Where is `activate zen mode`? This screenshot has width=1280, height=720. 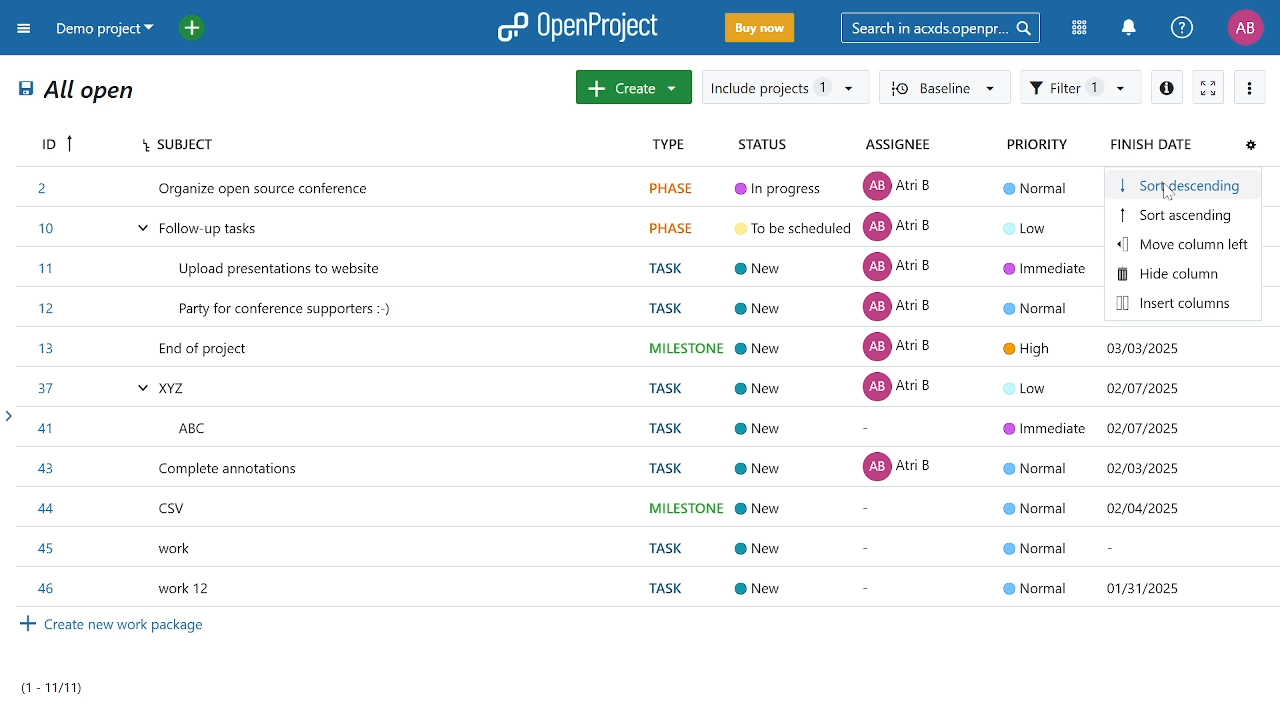
activate zen mode is located at coordinates (1211, 86).